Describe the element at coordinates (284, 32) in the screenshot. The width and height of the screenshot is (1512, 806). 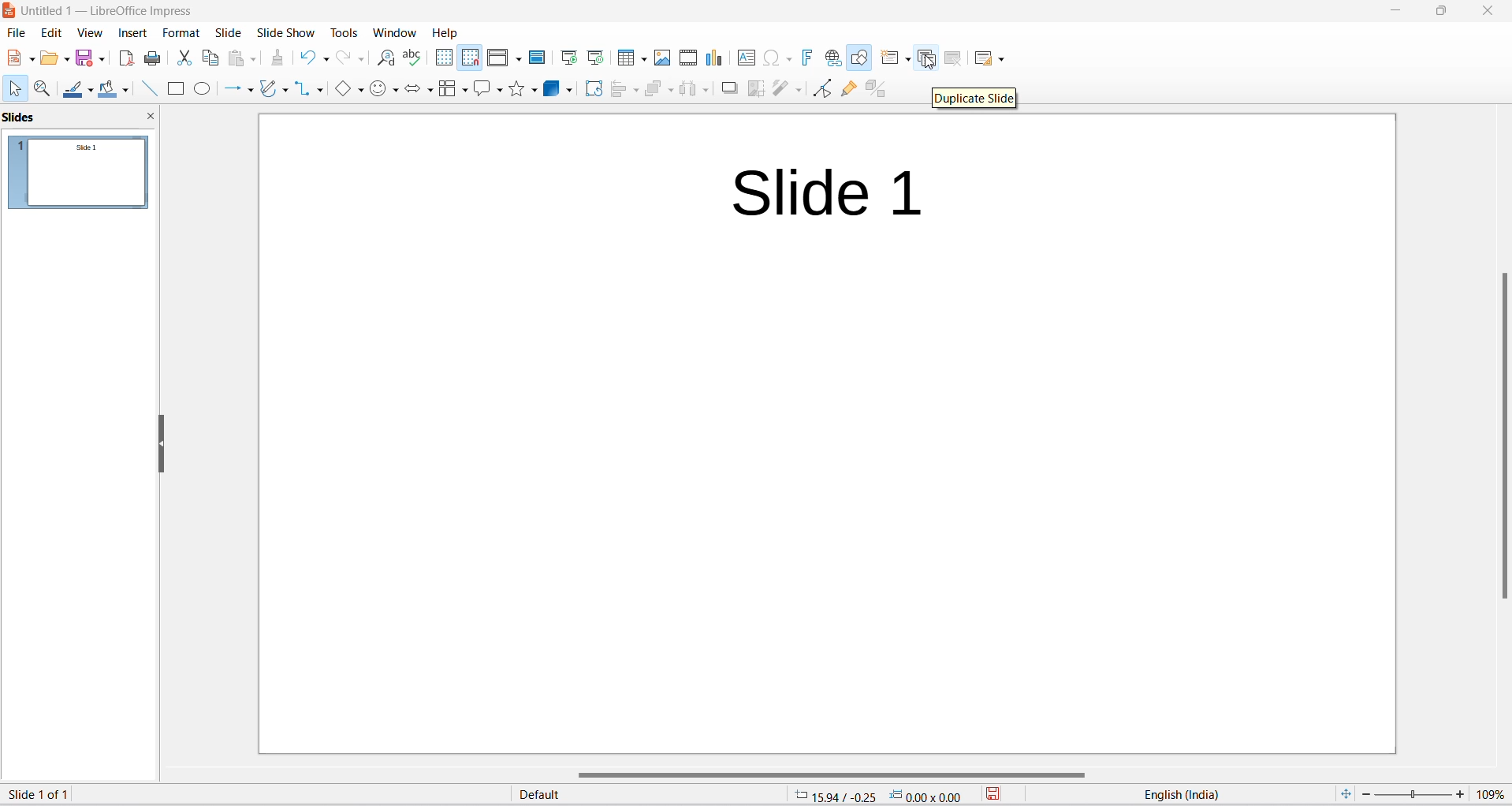
I see `slide show` at that location.